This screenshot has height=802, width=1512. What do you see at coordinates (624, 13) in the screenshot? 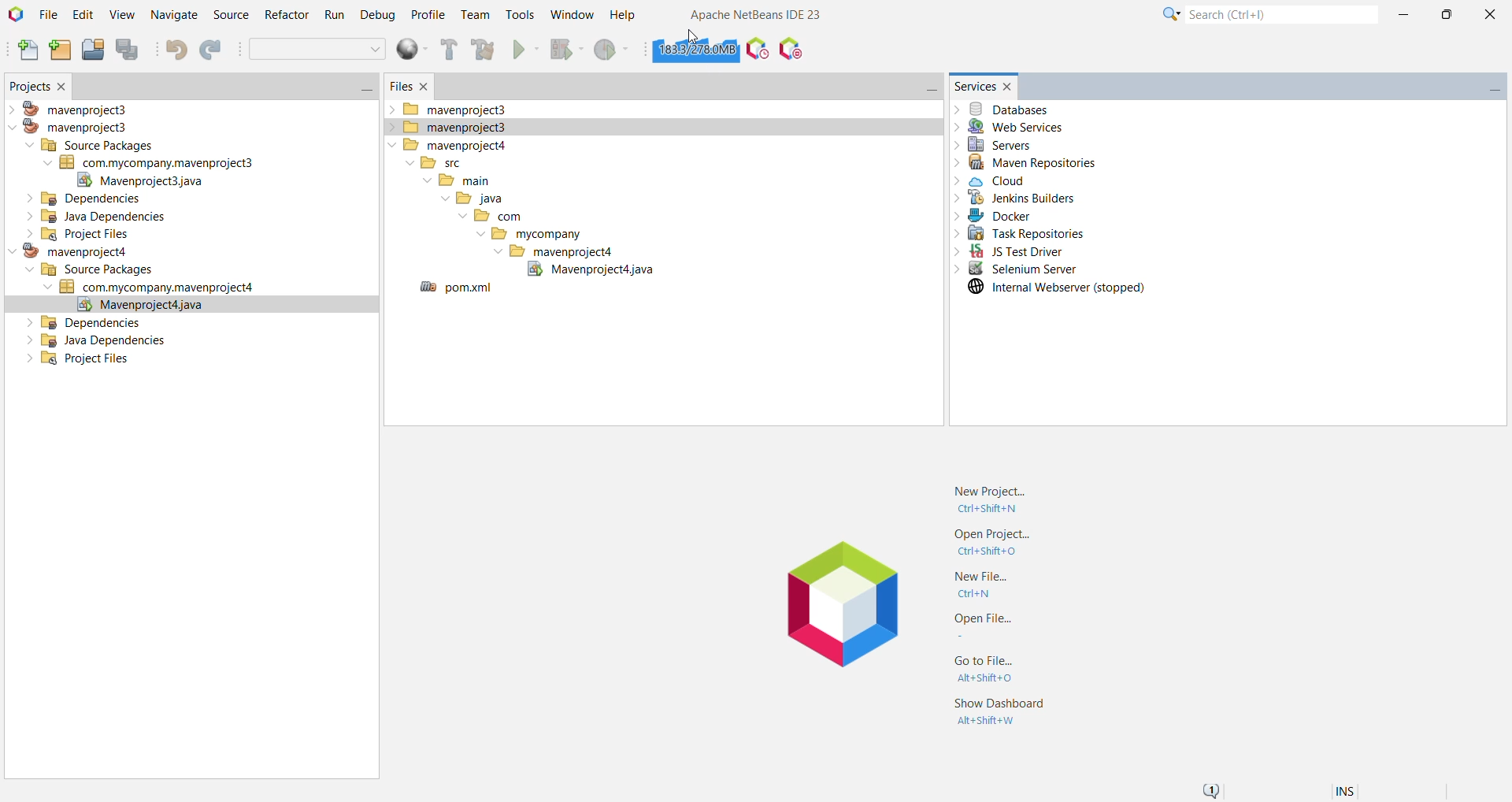
I see `Help` at bounding box center [624, 13].